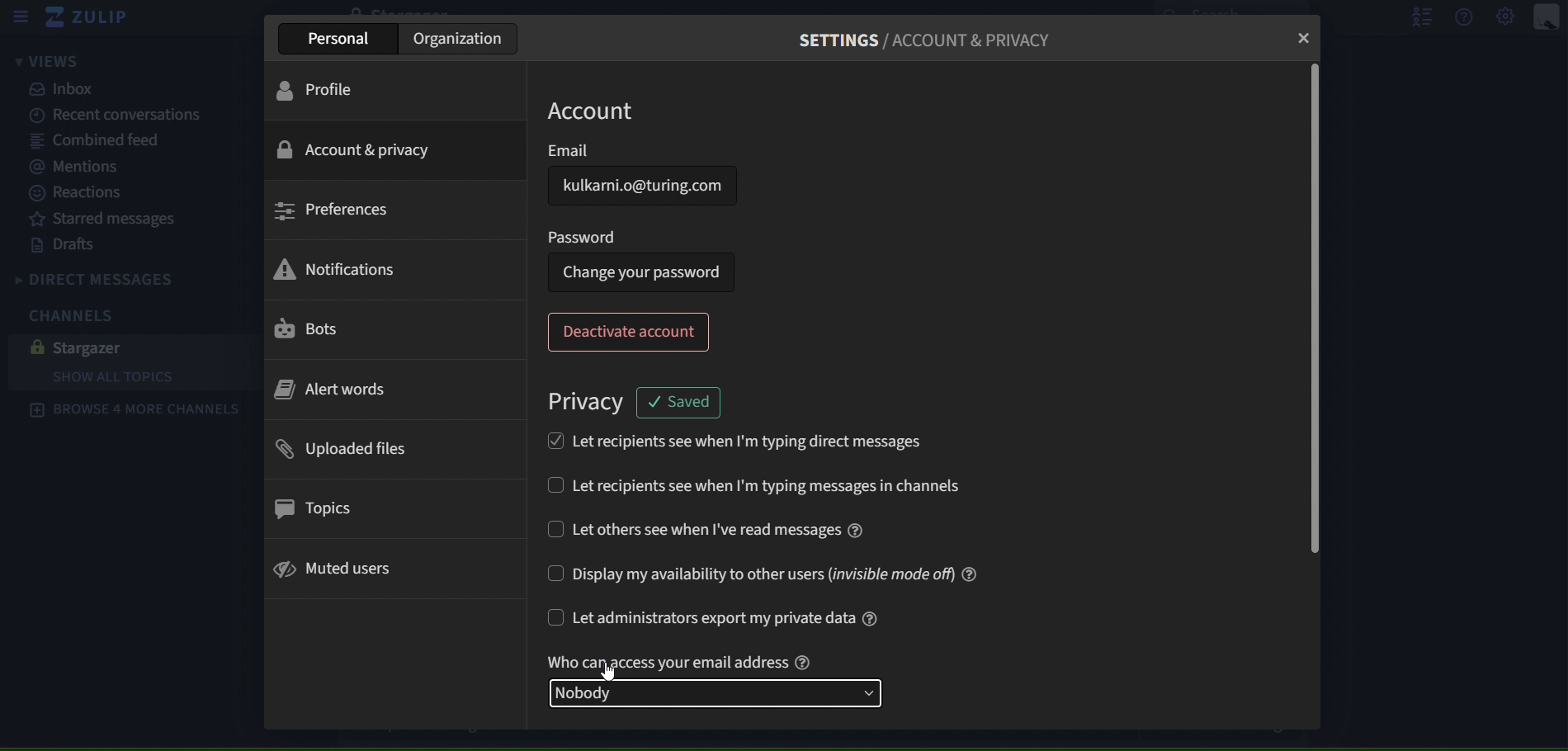 The width and height of the screenshot is (1568, 751). What do you see at coordinates (82, 168) in the screenshot?
I see `mentions` at bounding box center [82, 168].